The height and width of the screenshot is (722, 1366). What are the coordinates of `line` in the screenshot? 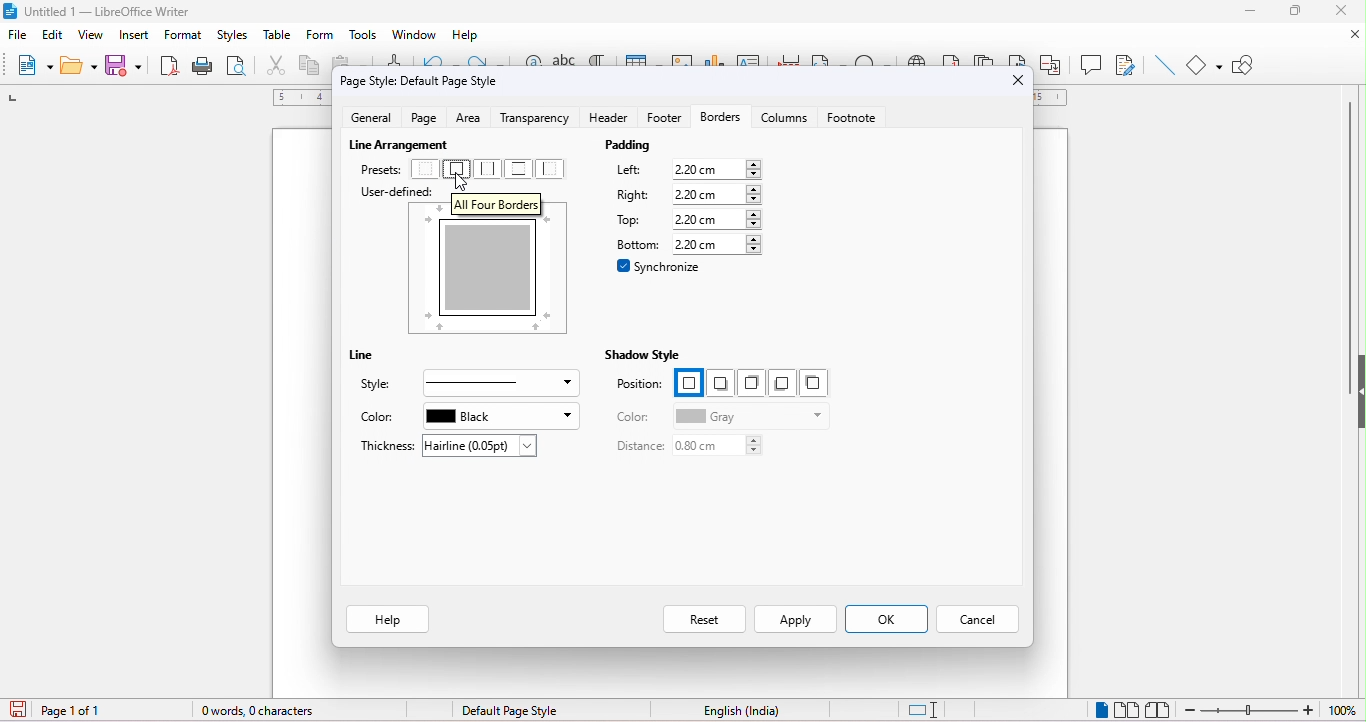 It's located at (373, 357).